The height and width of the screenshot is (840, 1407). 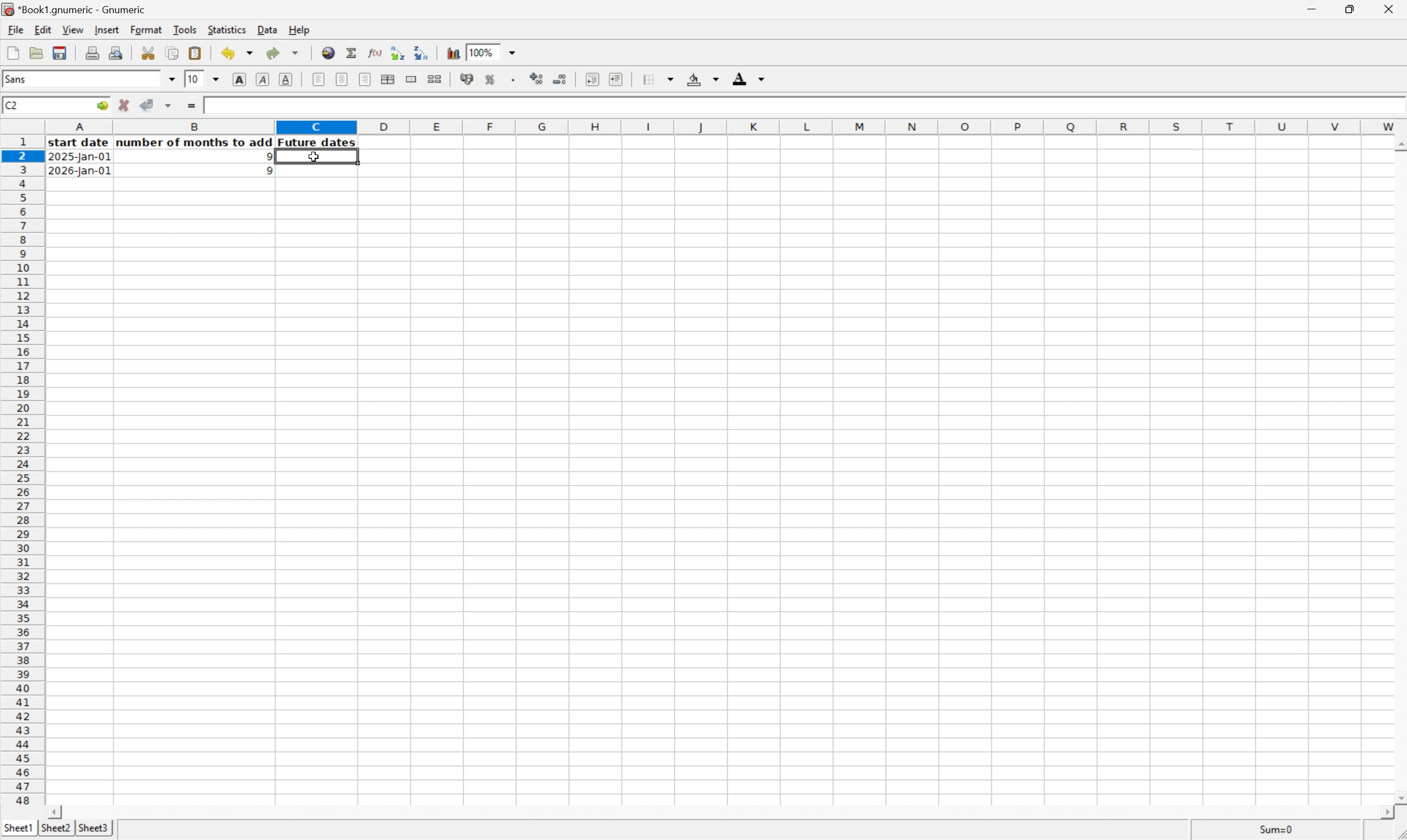 What do you see at coordinates (726, 127) in the screenshot?
I see `Column names` at bounding box center [726, 127].